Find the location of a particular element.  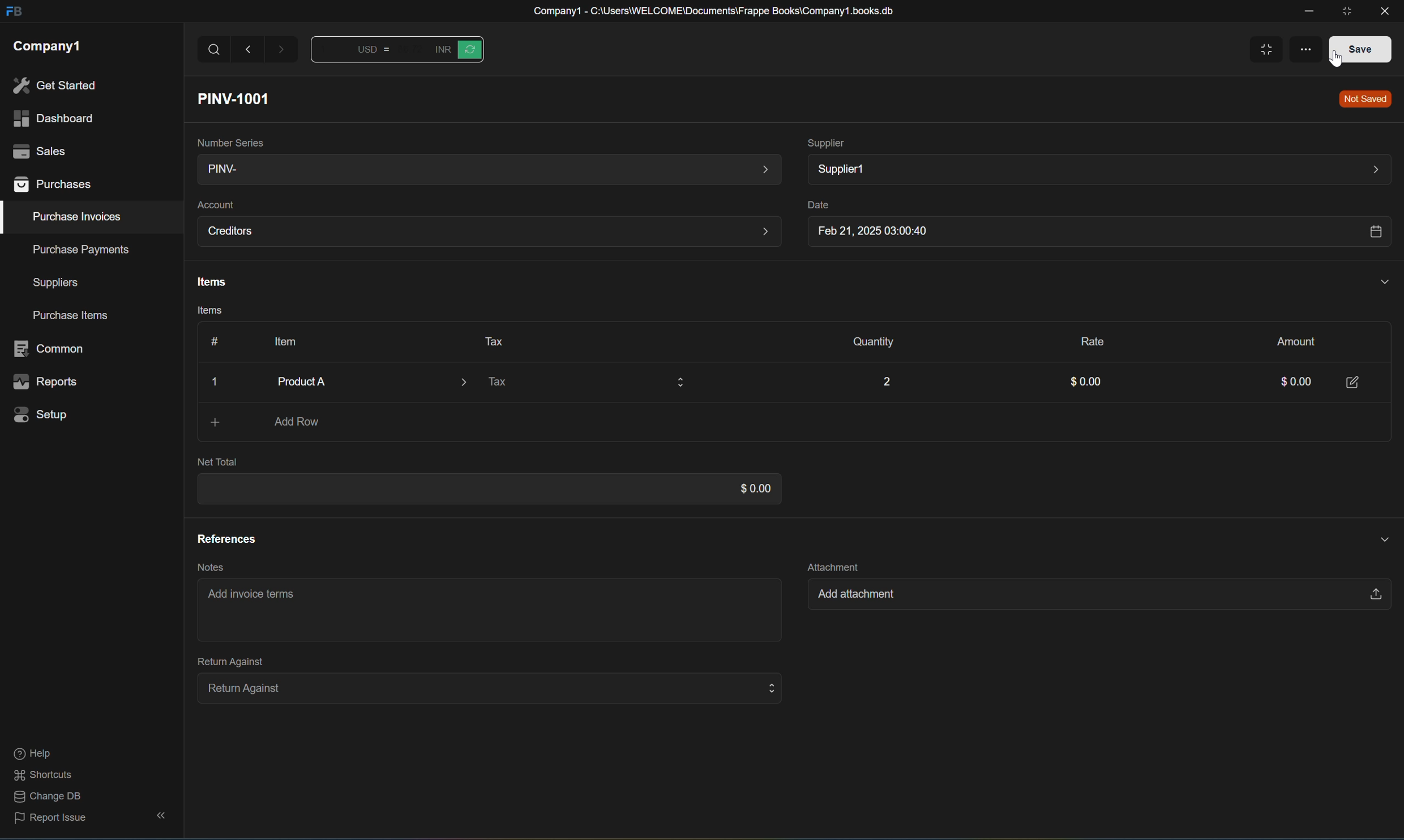

Tax is located at coordinates (584, 384).